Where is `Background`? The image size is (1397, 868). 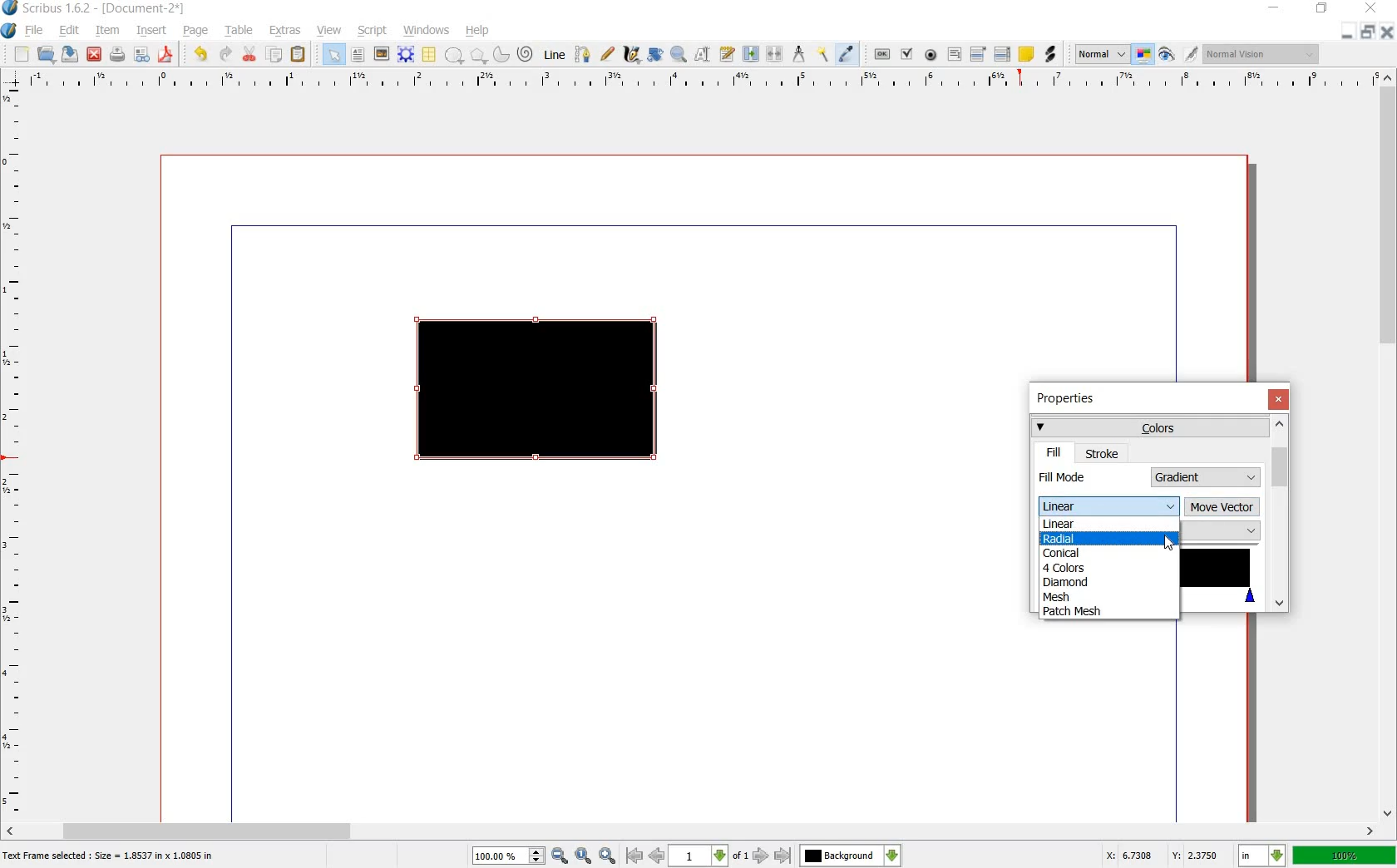 Background is located at coordinates (851, 856).